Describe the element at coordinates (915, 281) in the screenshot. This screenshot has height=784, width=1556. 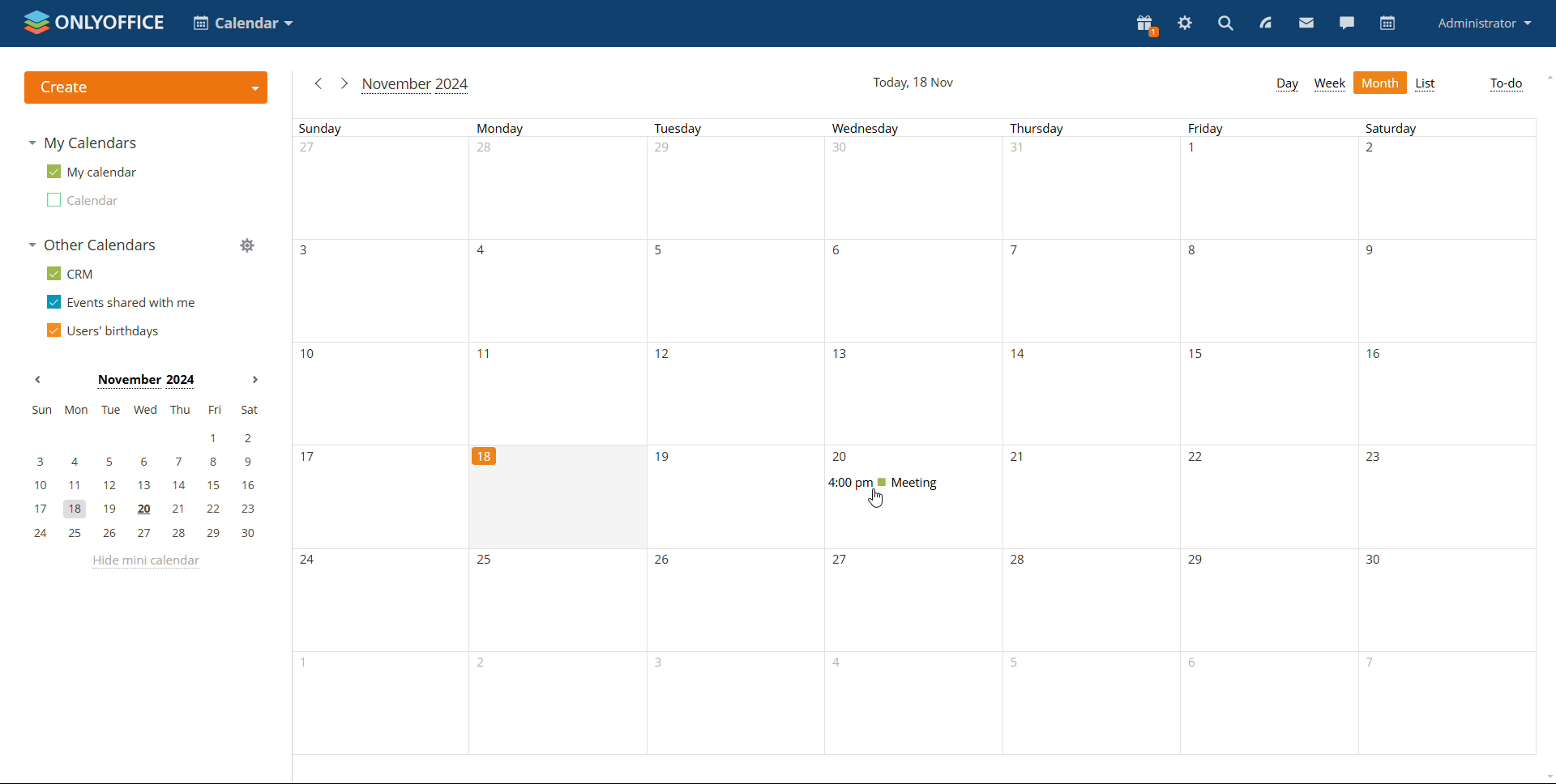
I see `wednesday` at that location.